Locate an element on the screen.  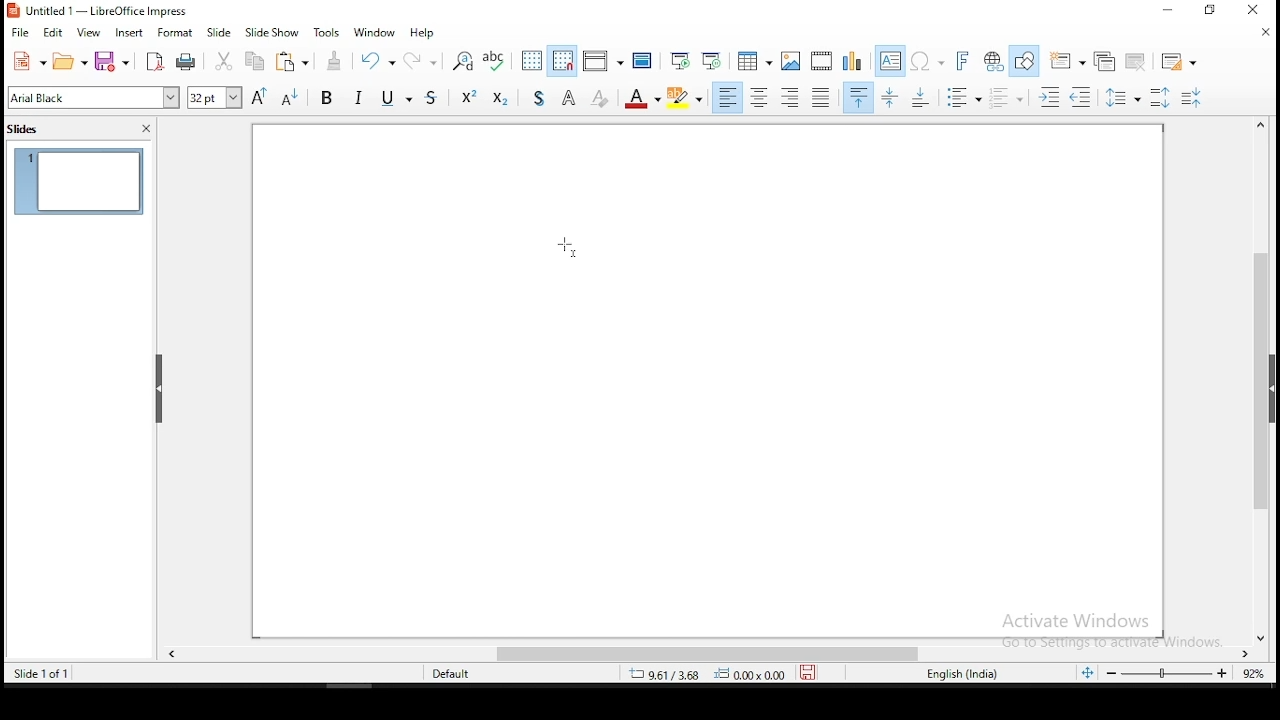
Space between Paragraph is located at coordinates (891, 97).